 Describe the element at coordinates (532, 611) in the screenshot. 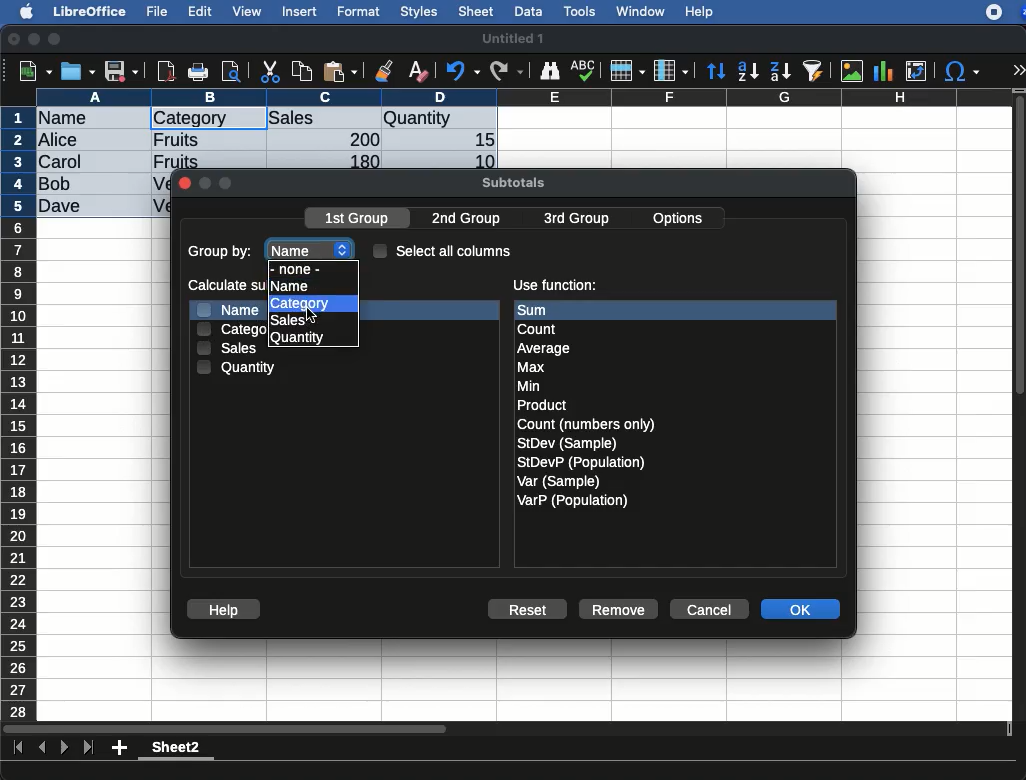

I see `reset` at that location.